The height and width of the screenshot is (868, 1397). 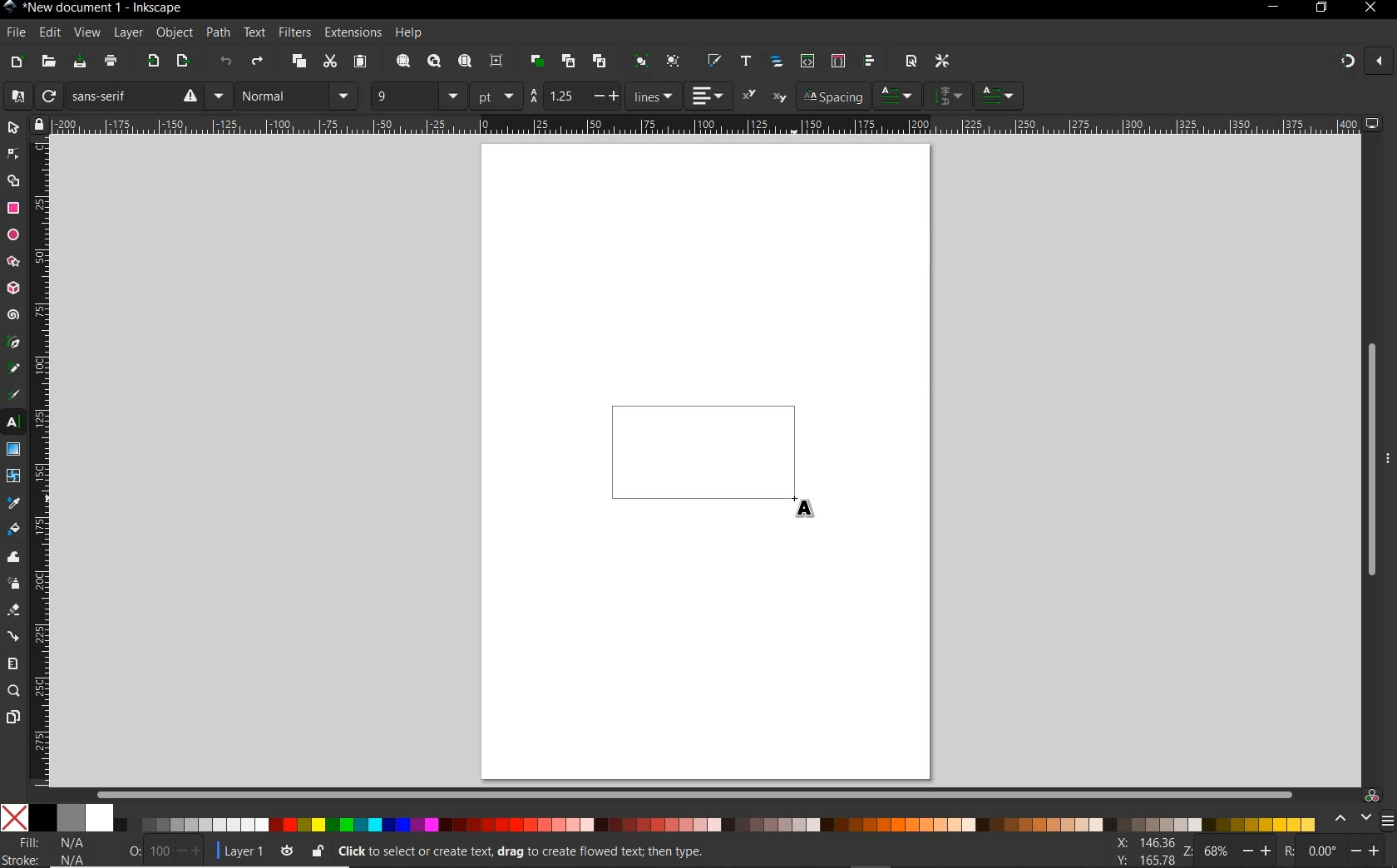 What do you see at coordinates (13, 531) in the screenshot?
I see `paint bucket tool` at bounding box center [13, 531].